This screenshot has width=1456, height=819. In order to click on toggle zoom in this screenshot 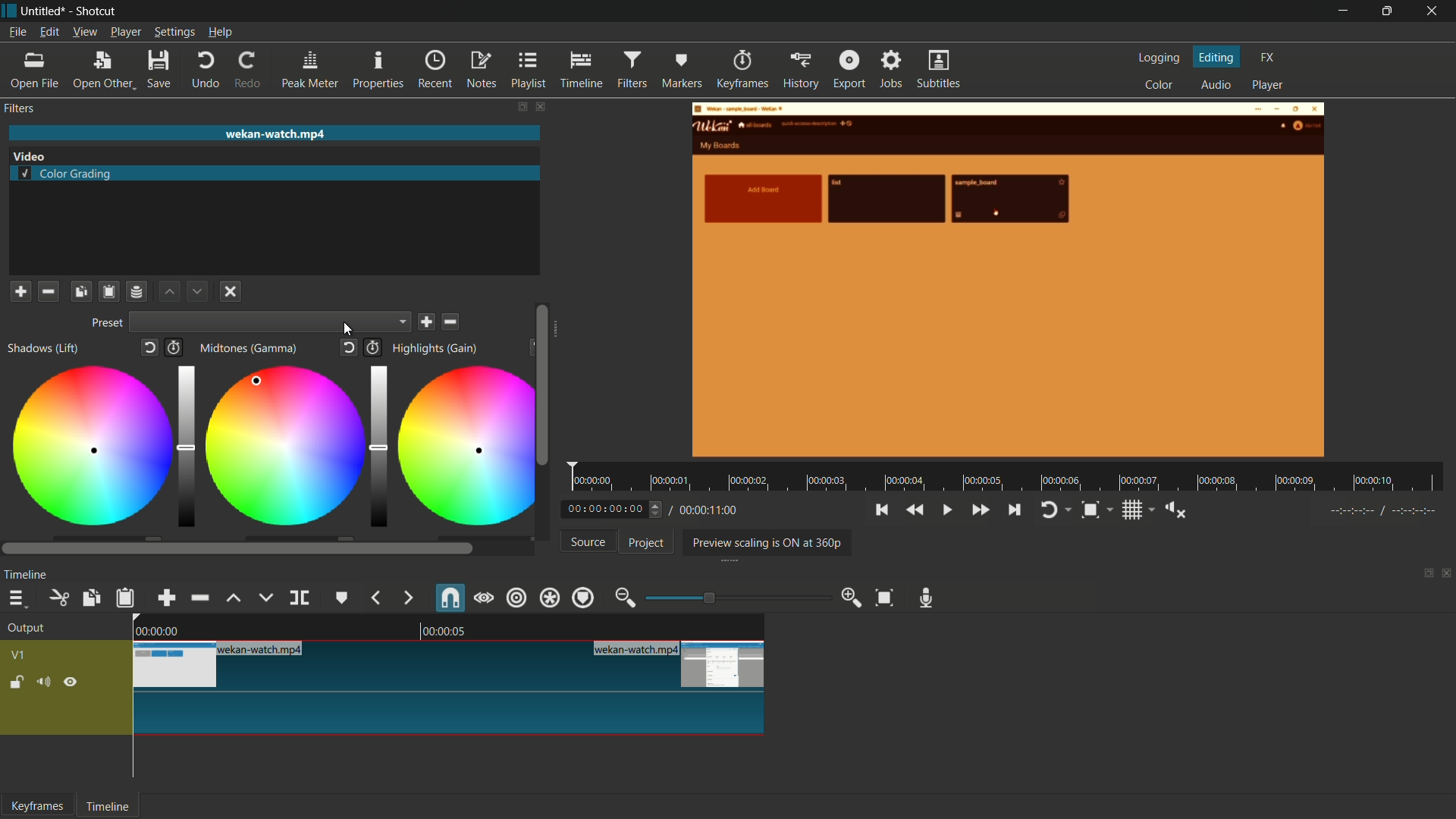, I will do `click(1095, 510)`.